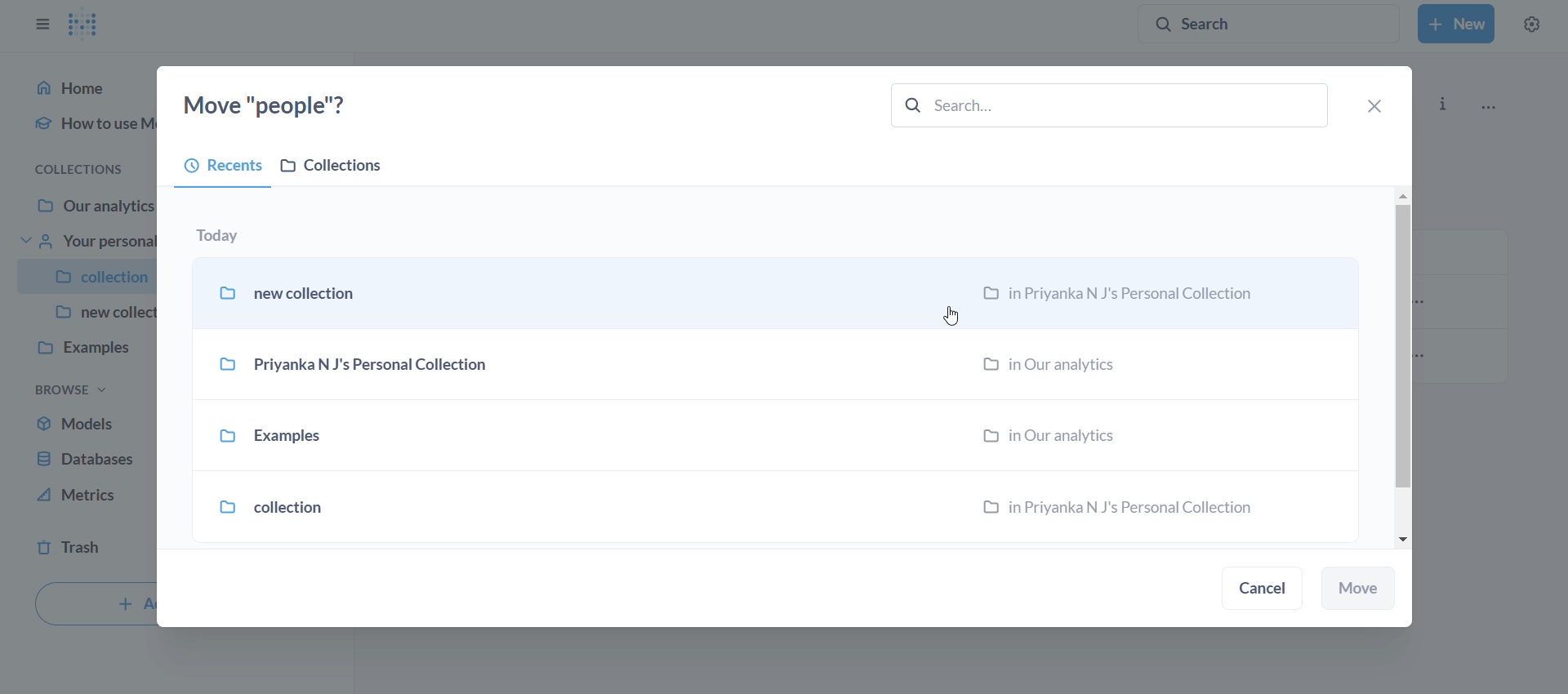 The width and height of the screenshot is (1568, 694). I want to click on search, so click(1269, 26).